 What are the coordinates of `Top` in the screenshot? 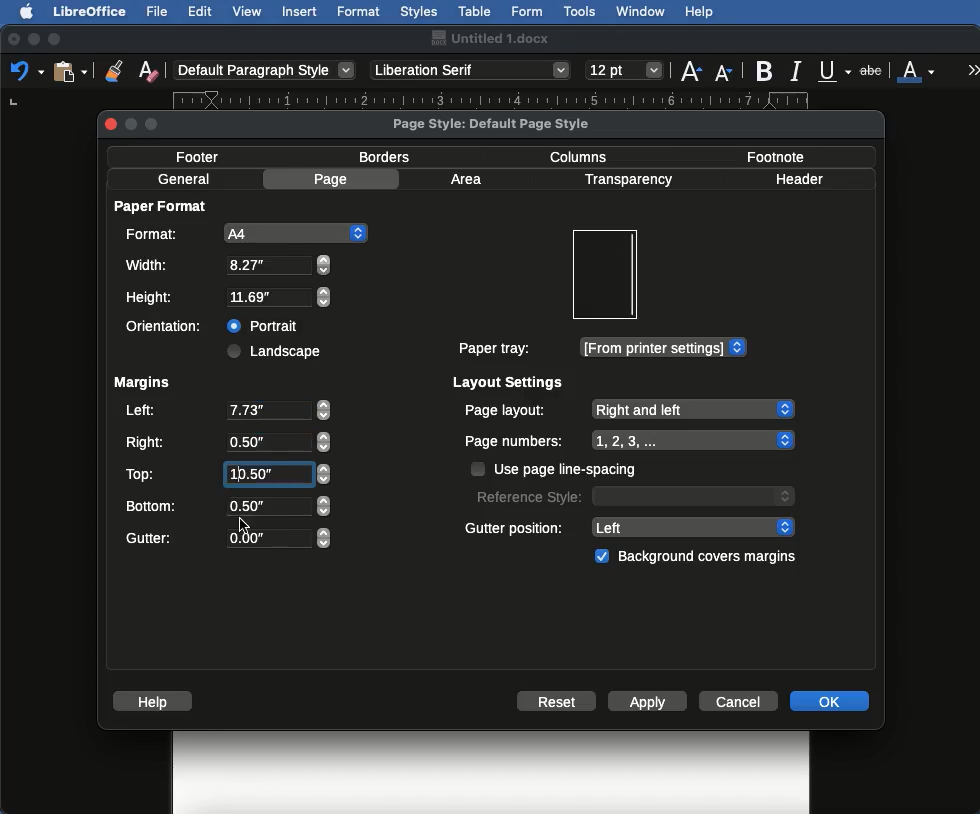 It's located at (225, 474).